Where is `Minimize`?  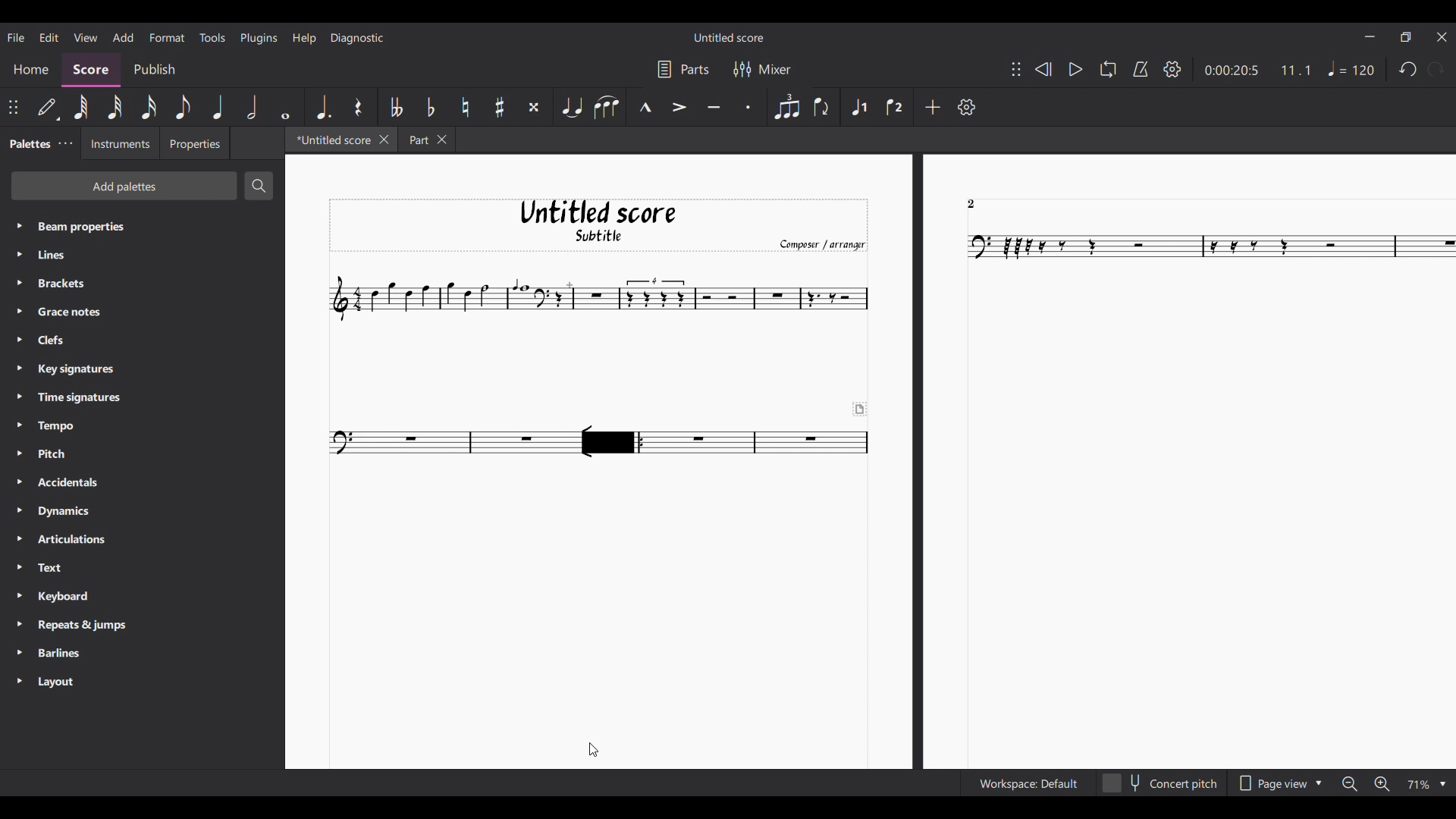
Minimize is located at coordinates (1370, 36).